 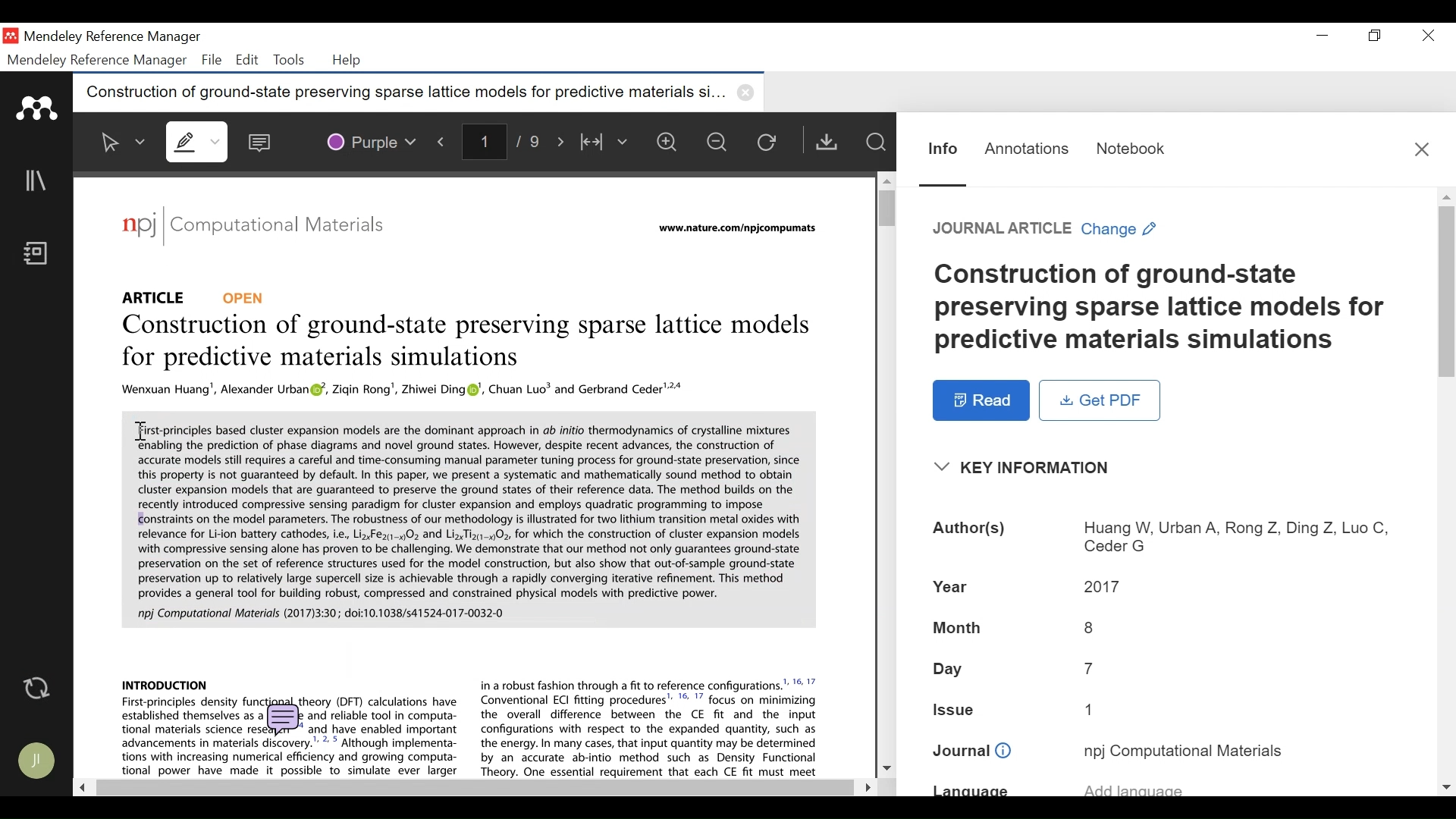 I want to click on Authors, so click(x=1235, y=538).